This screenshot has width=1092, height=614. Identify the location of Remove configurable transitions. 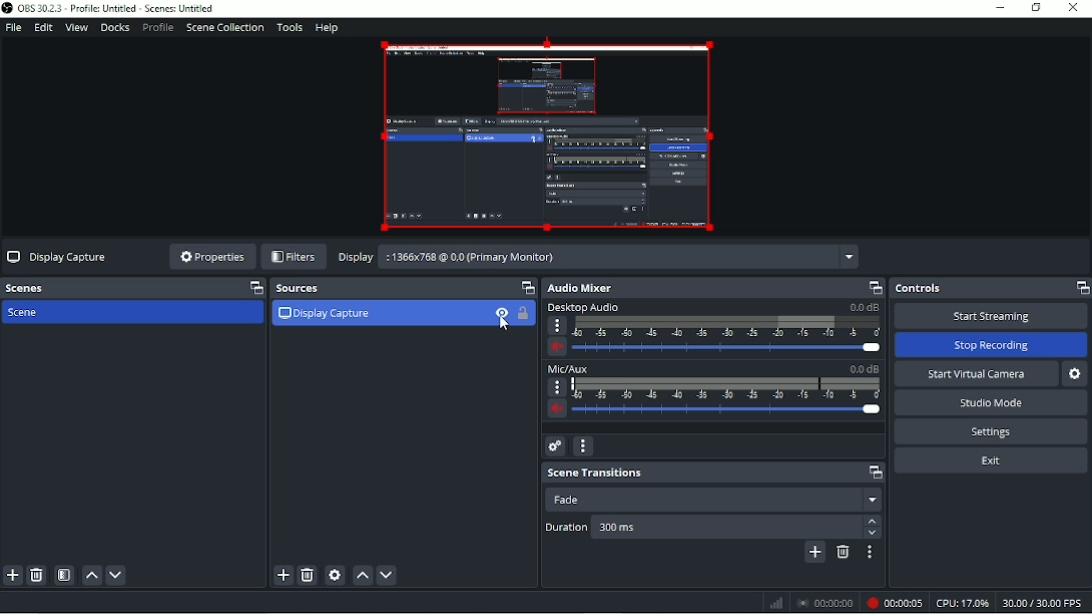
(844, 553).